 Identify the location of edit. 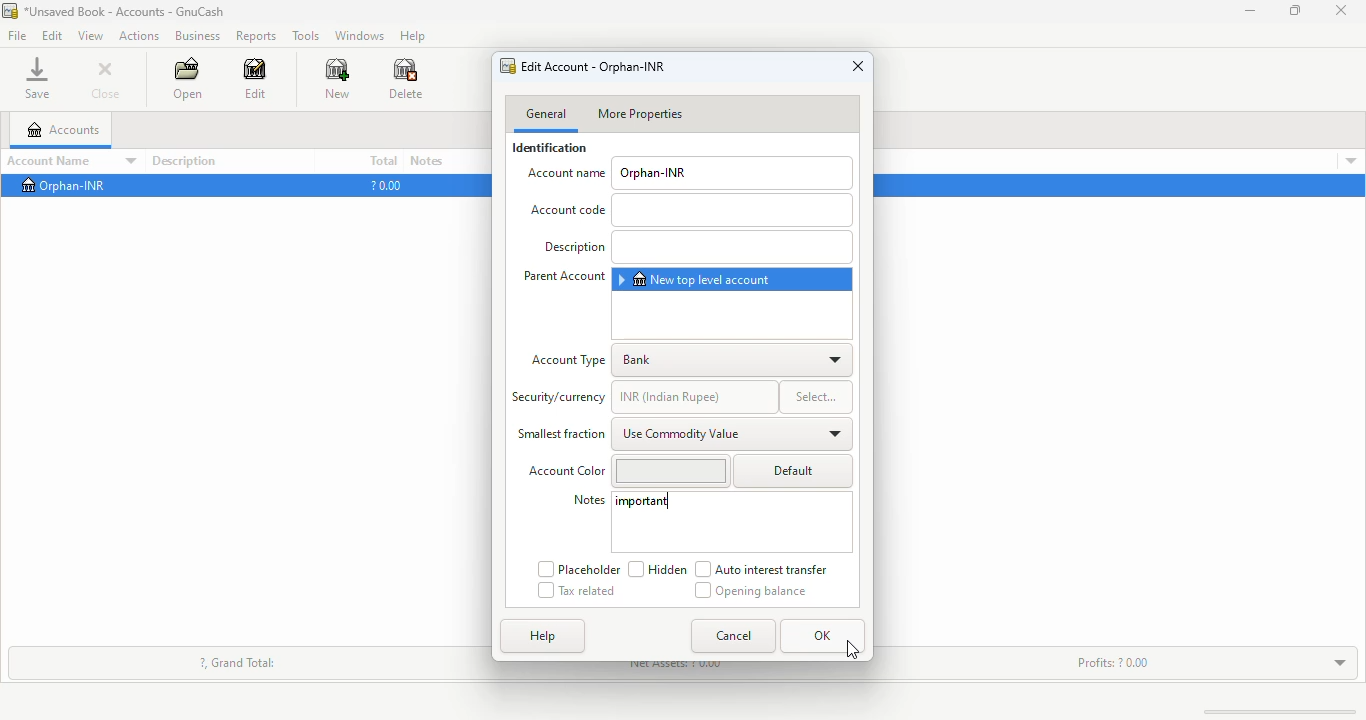
(254, 79).